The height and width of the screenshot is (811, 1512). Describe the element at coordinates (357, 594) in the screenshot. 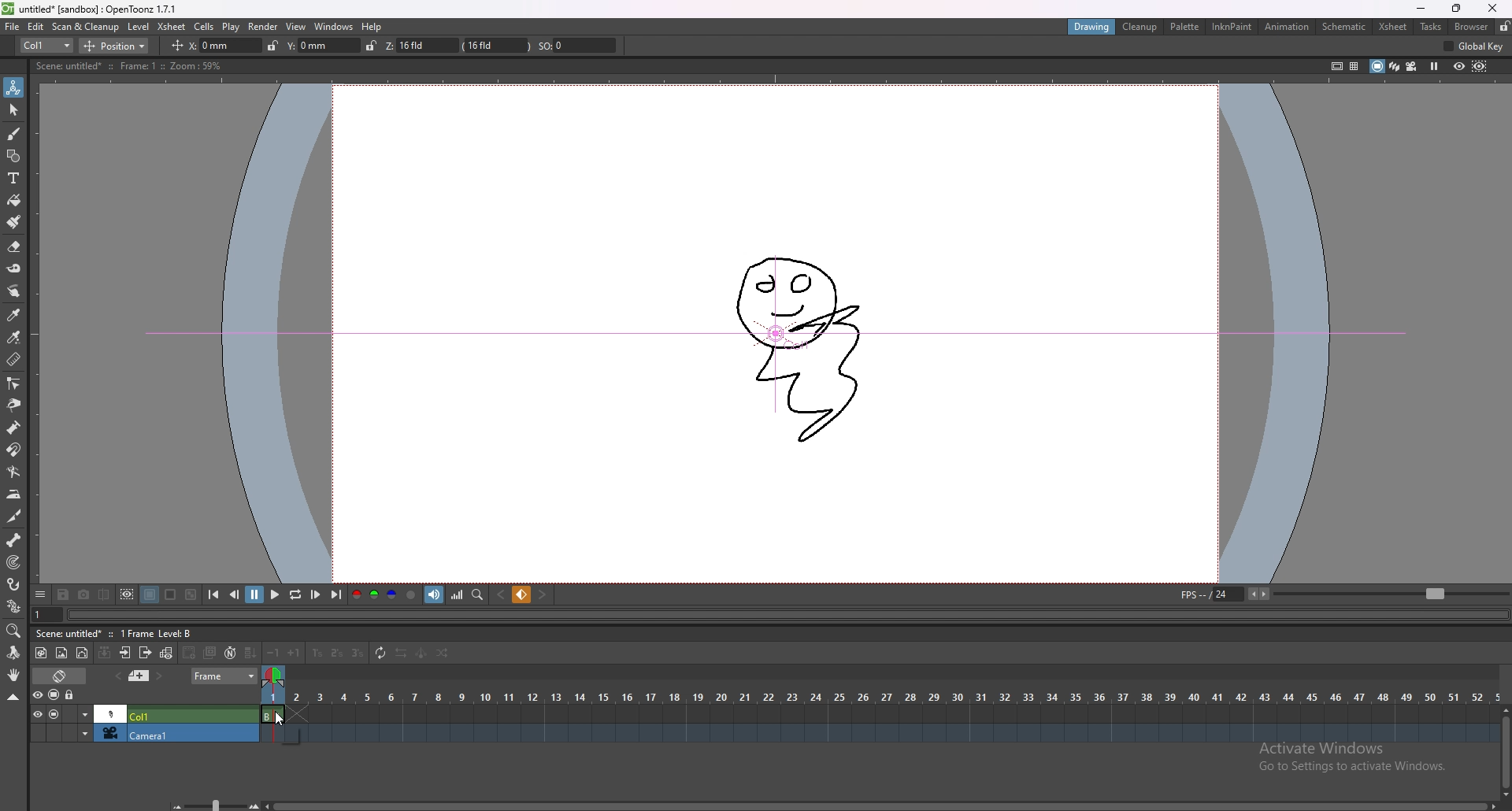

I see `red channel` at that location.